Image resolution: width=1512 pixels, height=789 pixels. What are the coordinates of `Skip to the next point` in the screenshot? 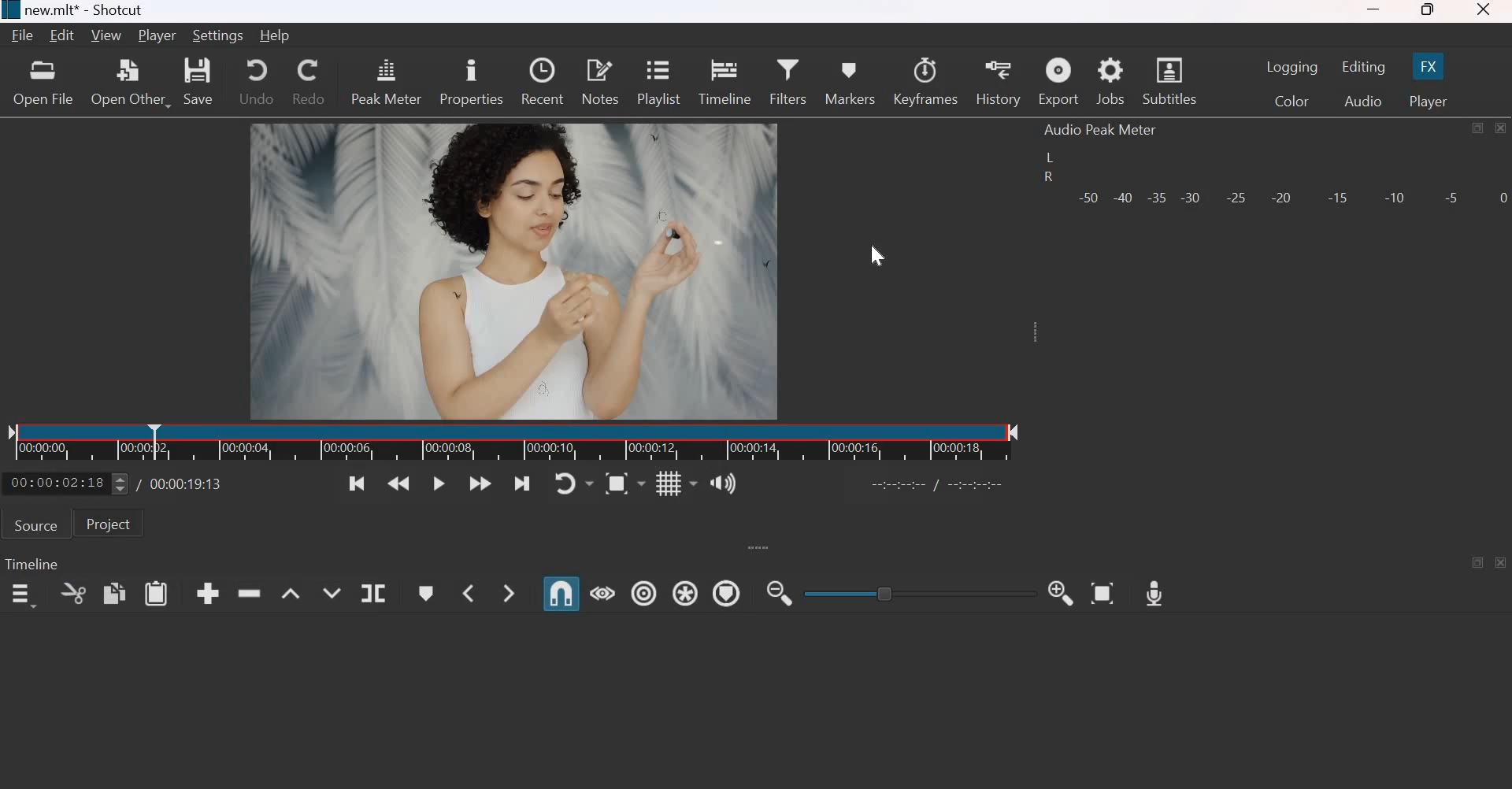 It's located at (522, 484).